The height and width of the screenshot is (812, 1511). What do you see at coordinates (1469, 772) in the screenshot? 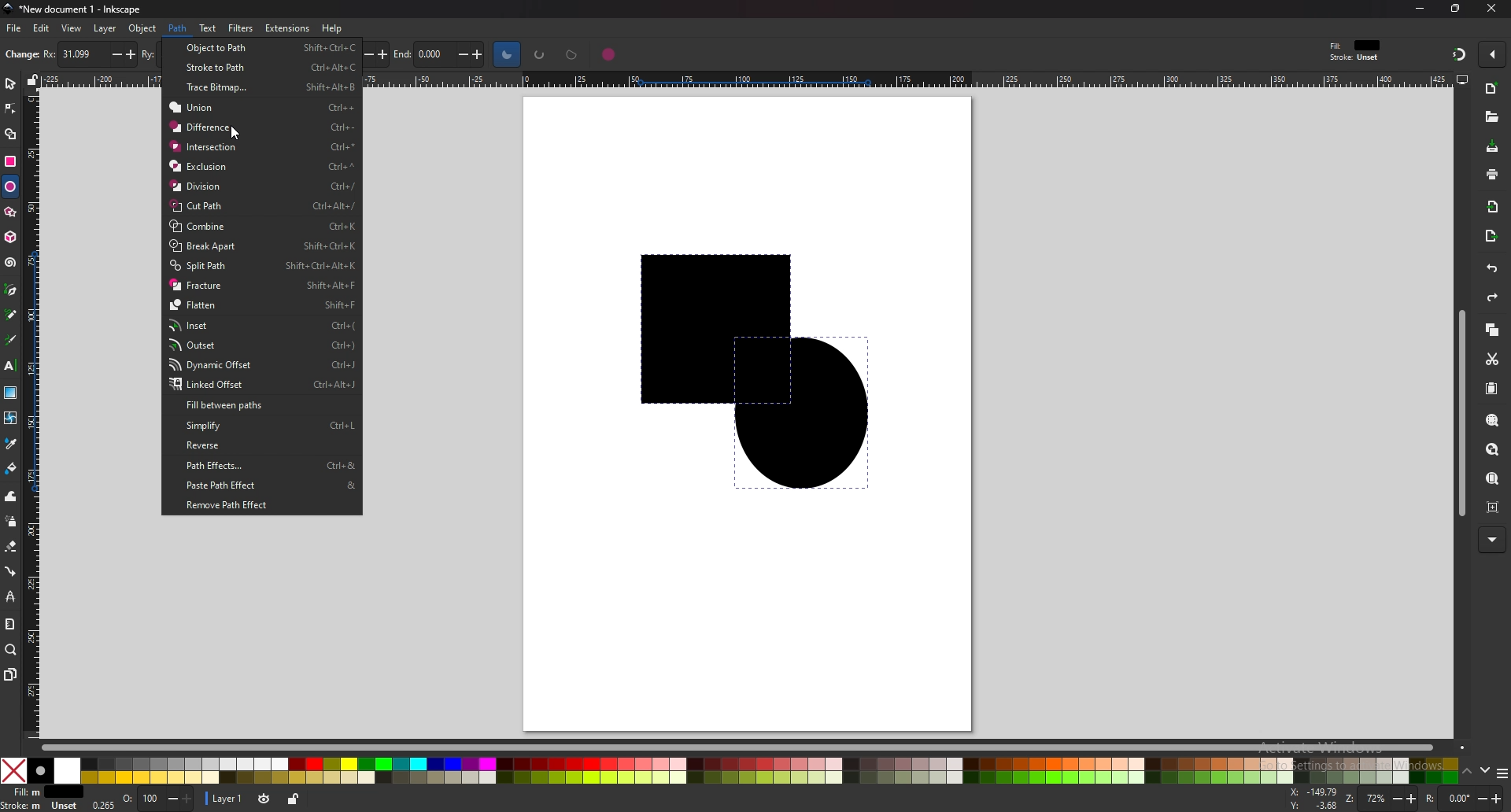
I see `up` at bounding box center [1469, 772].